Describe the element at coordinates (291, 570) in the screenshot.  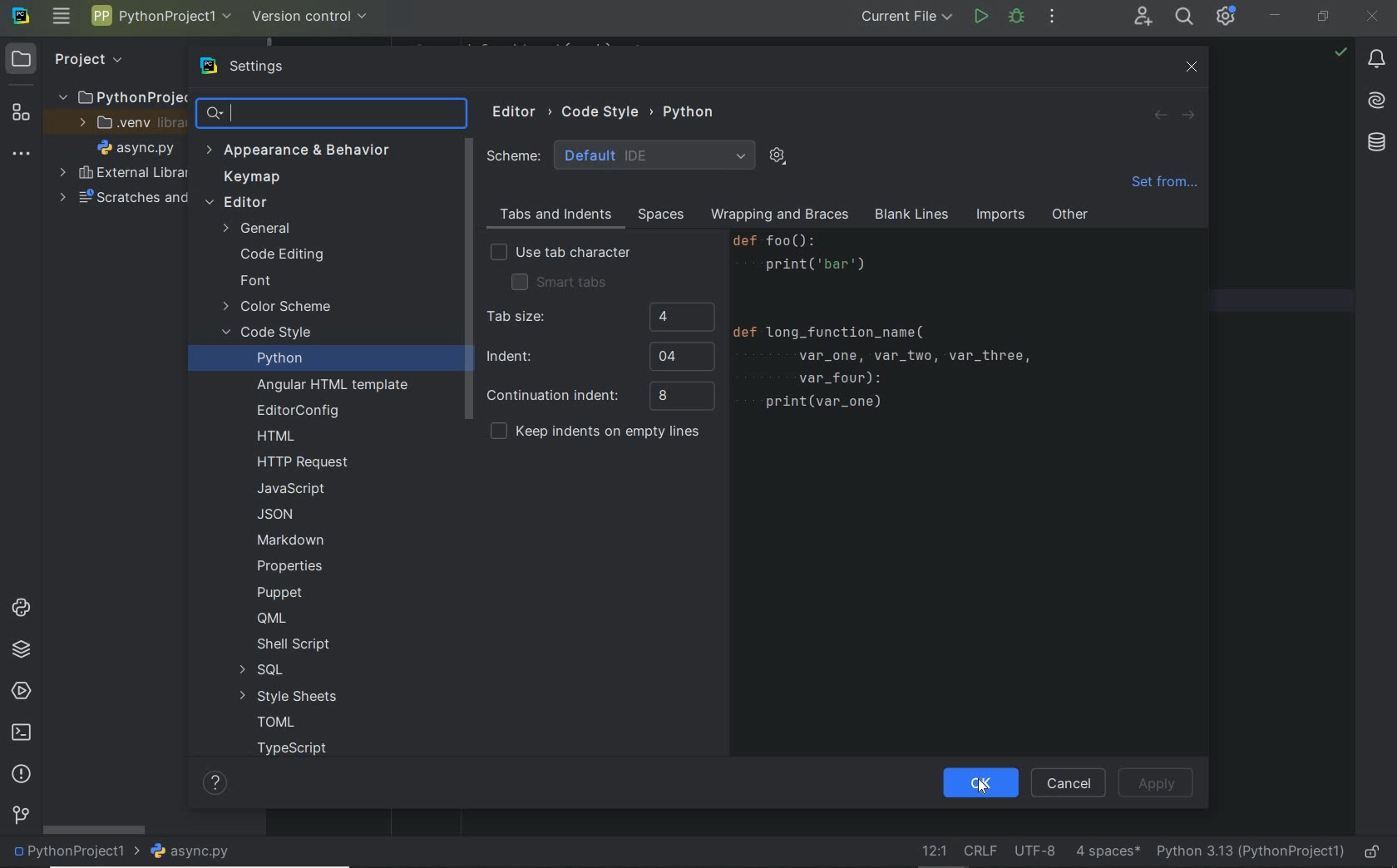
I see `PROPERTIES` at that location.